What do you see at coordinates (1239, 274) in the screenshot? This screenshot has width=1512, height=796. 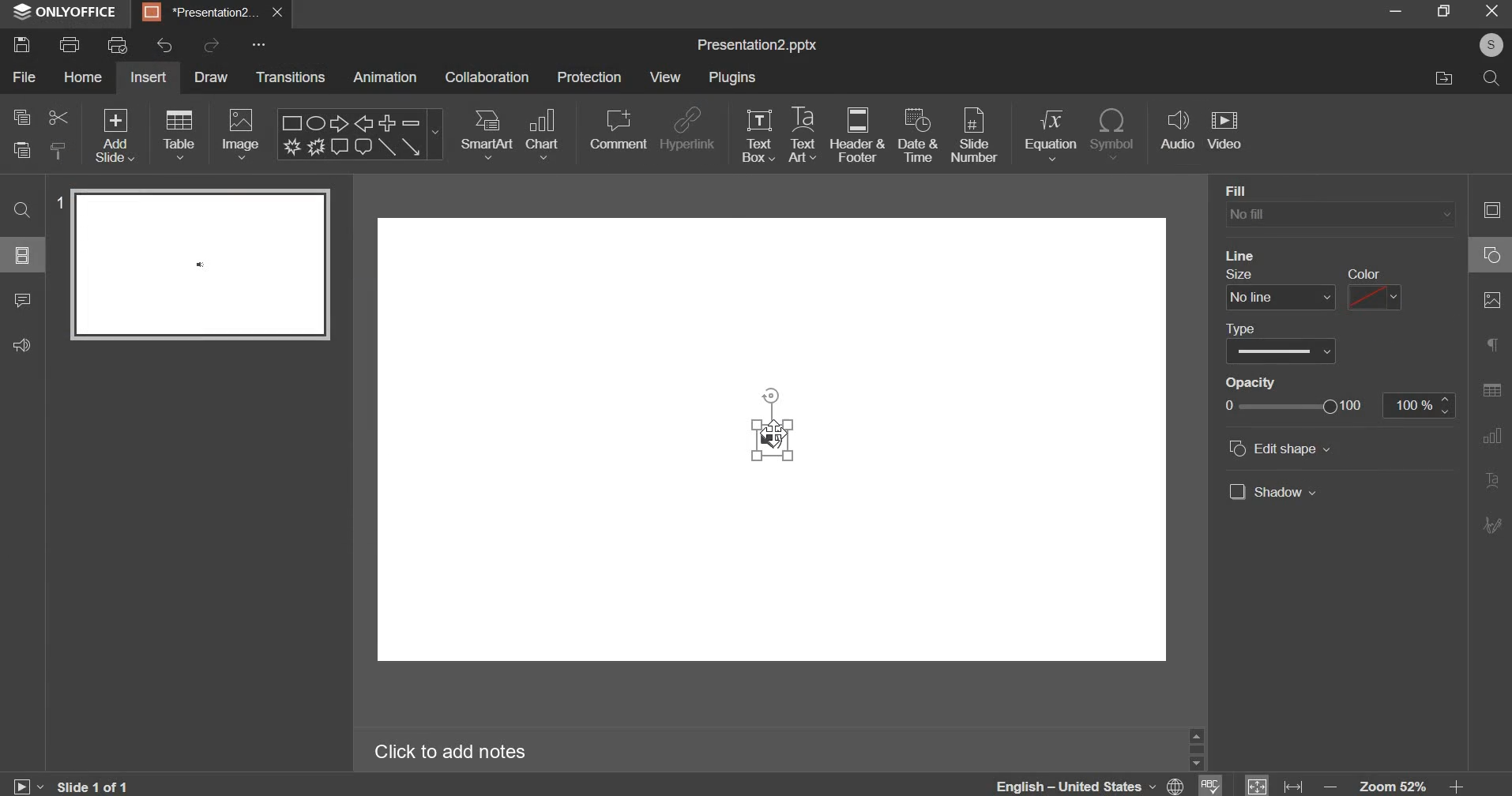 I see `size` at bounding box center [1239, 274].